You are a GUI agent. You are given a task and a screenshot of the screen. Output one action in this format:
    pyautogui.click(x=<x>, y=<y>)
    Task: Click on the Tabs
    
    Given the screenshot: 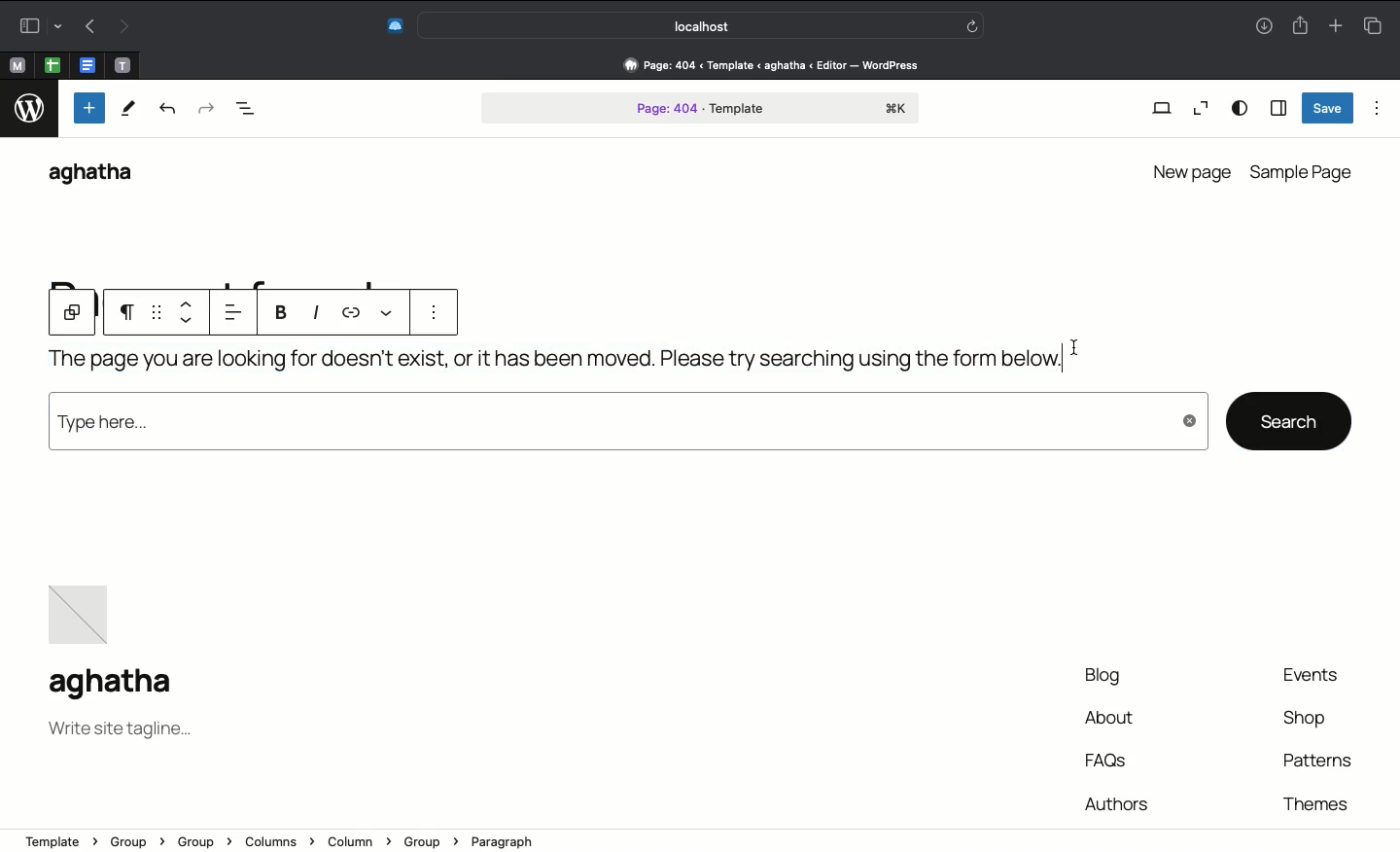 What is the action you would take?
    pyautogui.click(x=1378, y=23)
    